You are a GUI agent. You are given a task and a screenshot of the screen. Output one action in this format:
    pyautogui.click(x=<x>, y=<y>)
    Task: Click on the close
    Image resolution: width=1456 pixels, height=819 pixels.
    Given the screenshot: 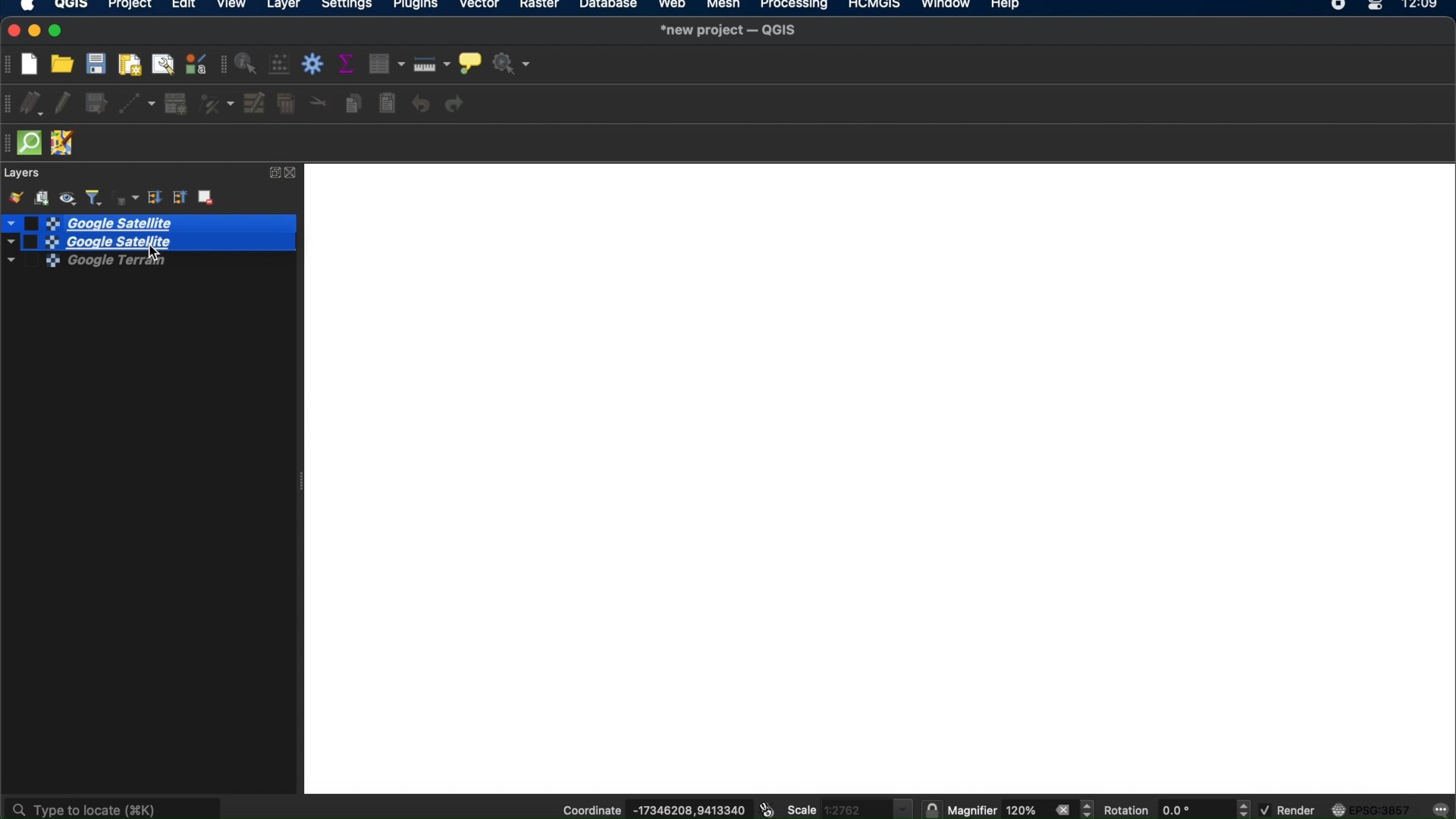 What is the action you would take?
    pyautogui.click(x=11, y=31)
    